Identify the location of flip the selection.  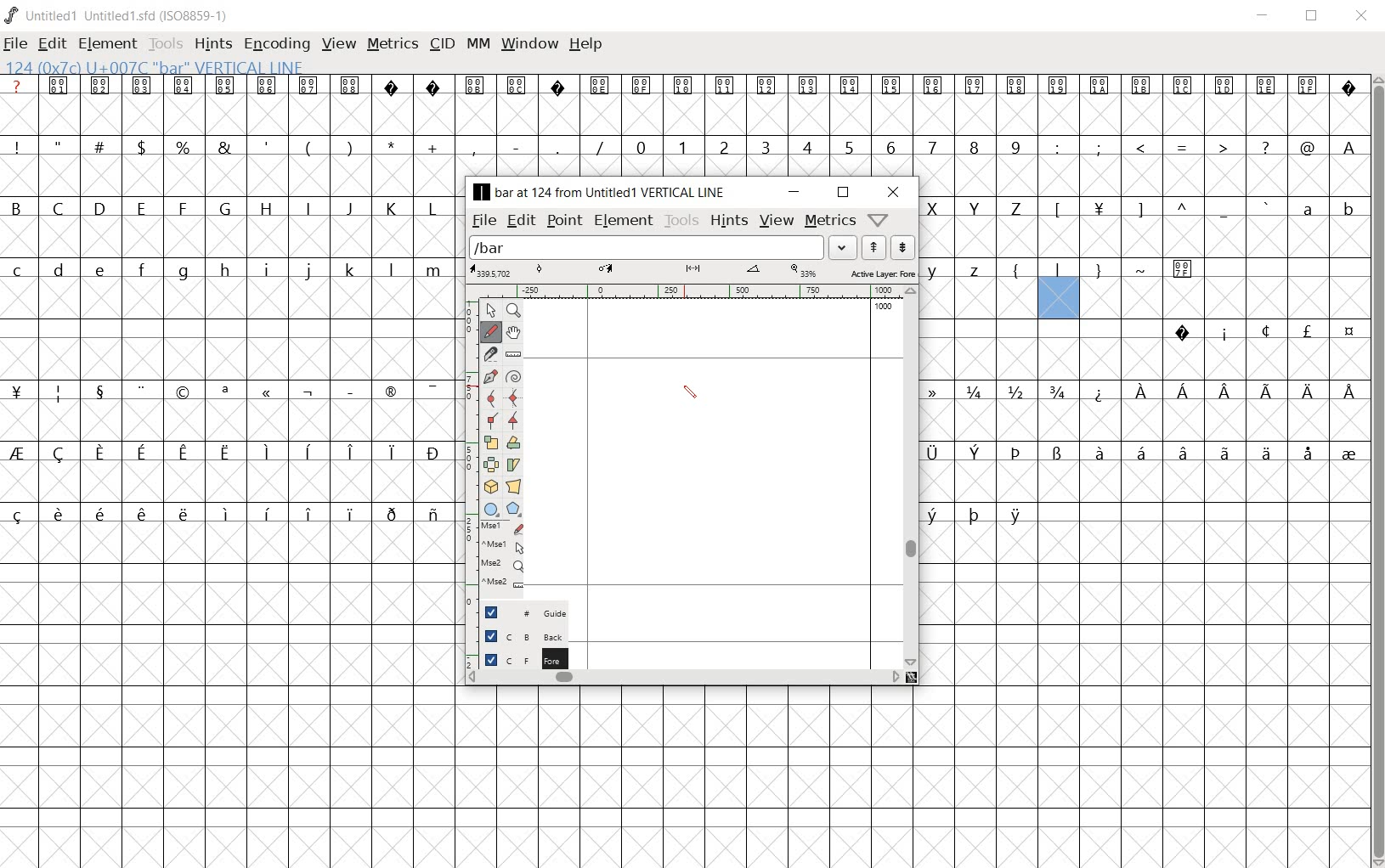
(490, 463).